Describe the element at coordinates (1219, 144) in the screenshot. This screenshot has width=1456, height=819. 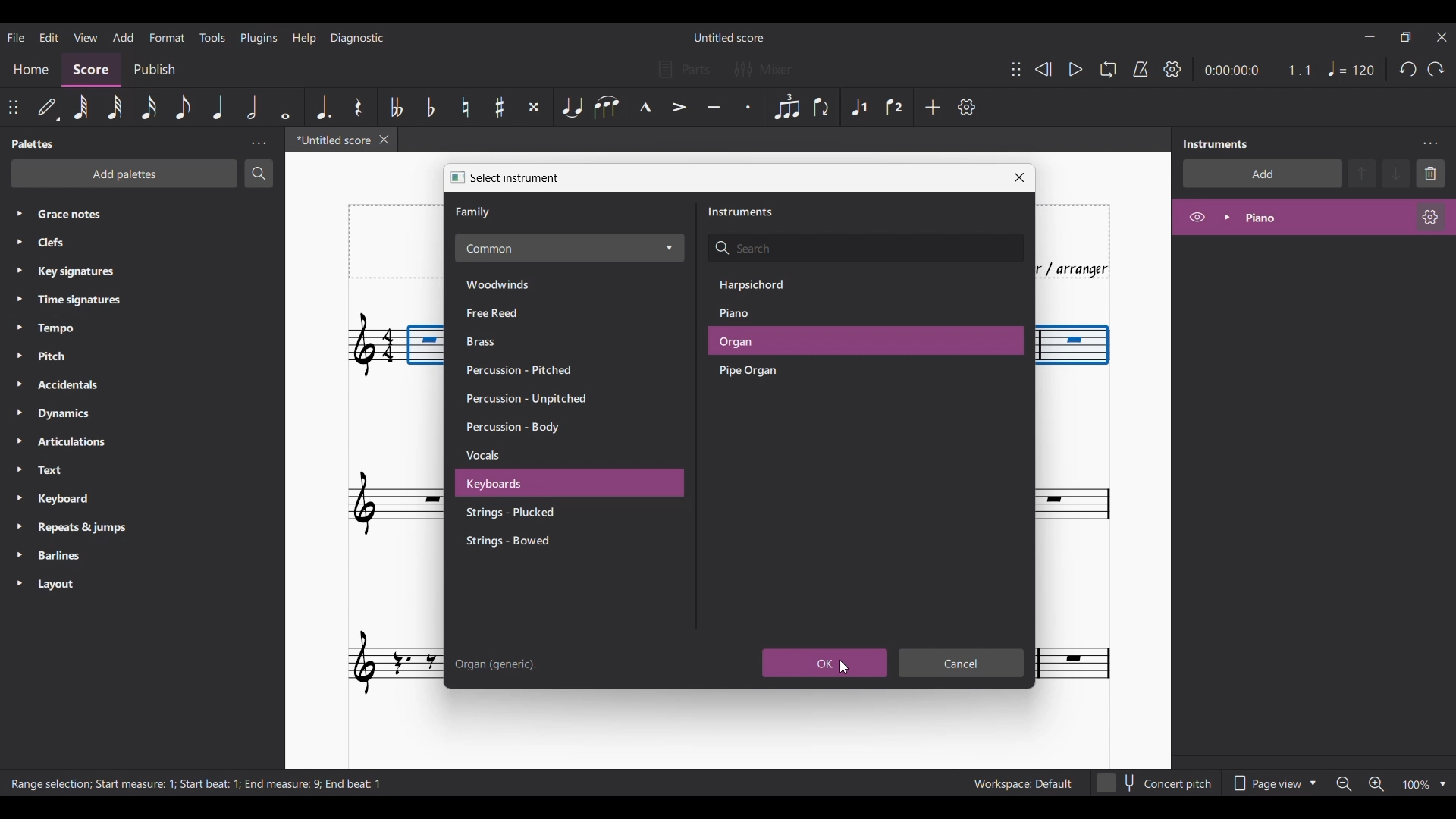
I see `Panel title` at that location.